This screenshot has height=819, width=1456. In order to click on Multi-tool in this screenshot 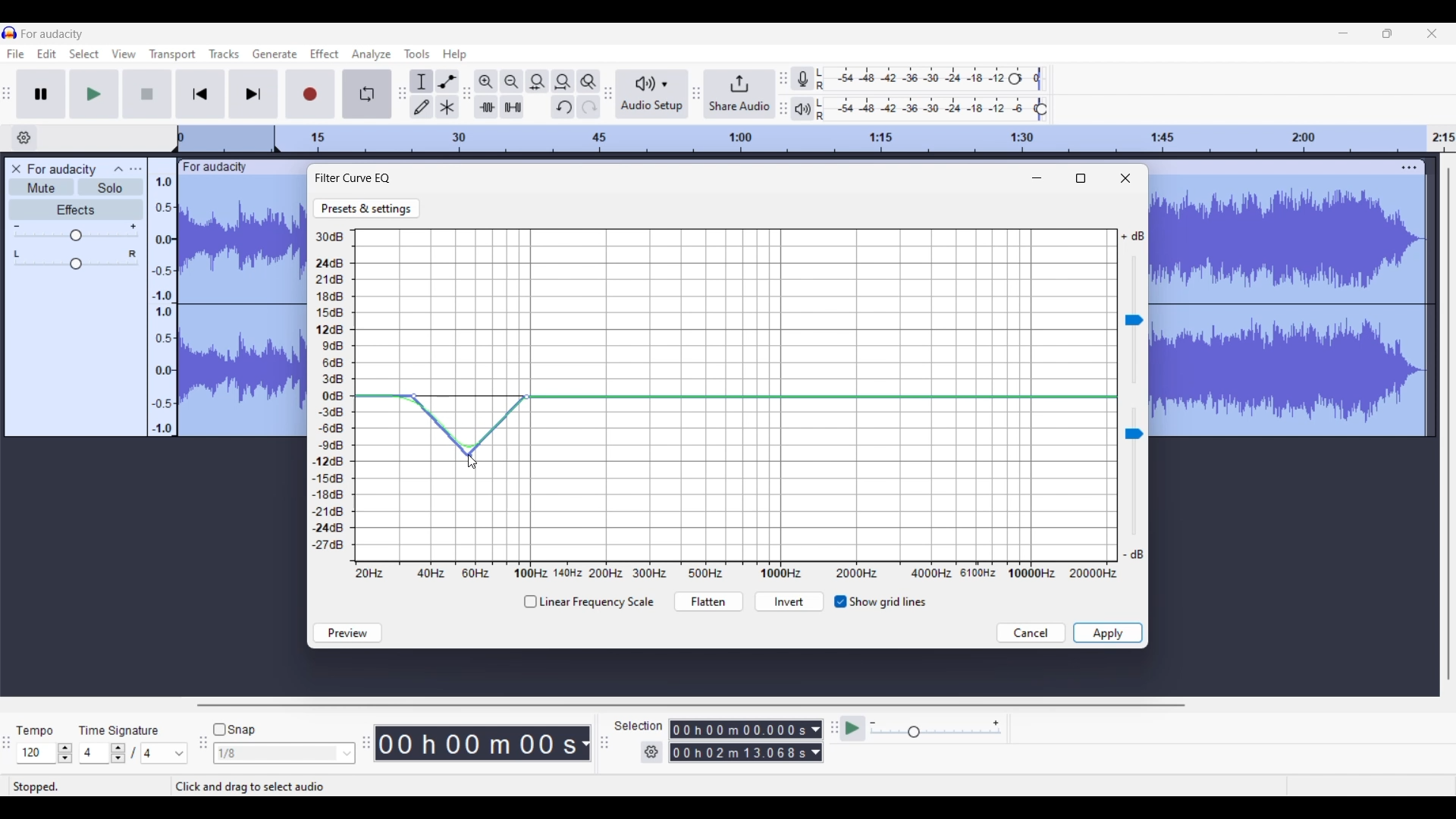, I will do `click(447, 106)`.